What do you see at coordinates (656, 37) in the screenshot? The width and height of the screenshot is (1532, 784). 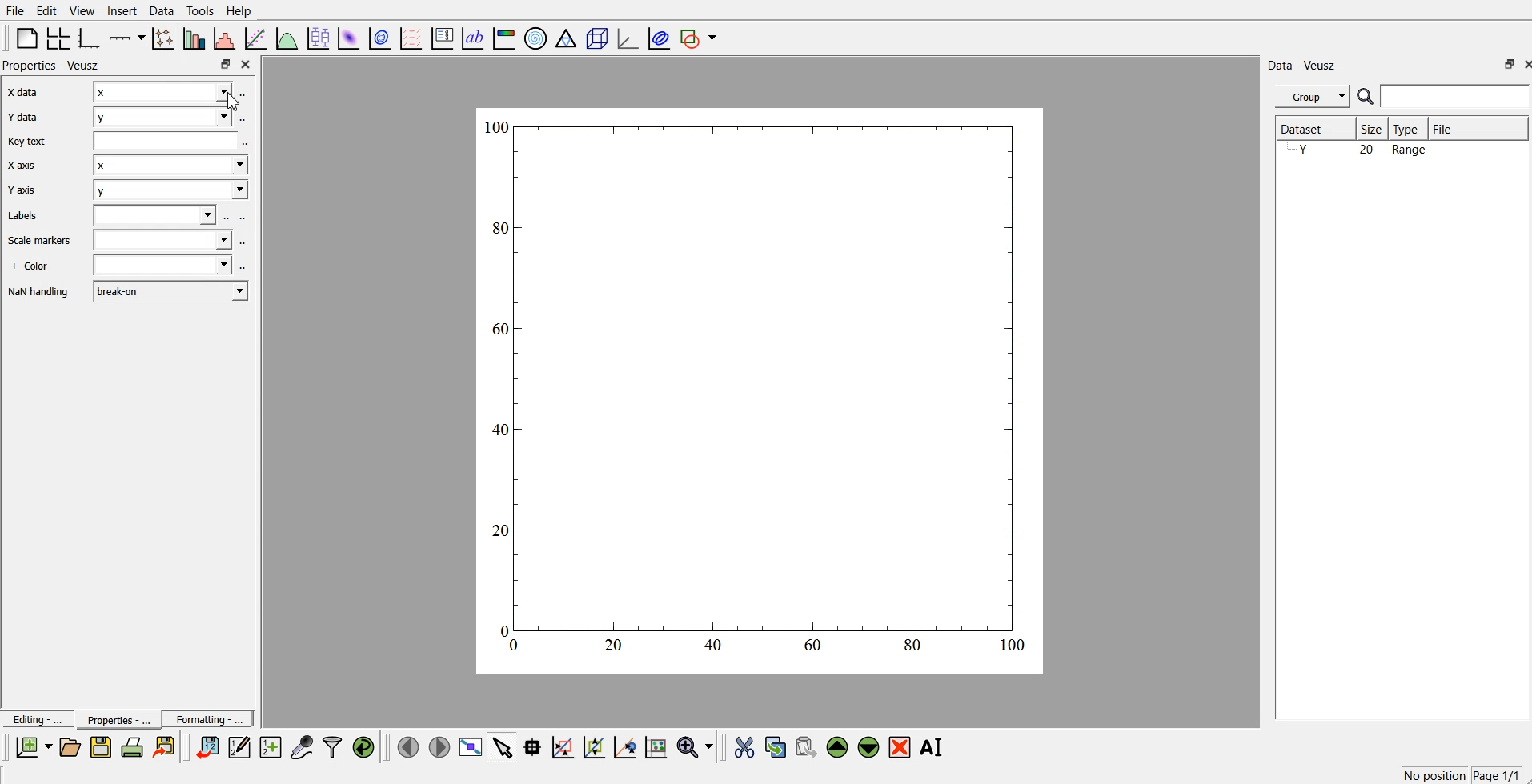 I see `plot covariance ellipses` at bounding box center [656, 37].